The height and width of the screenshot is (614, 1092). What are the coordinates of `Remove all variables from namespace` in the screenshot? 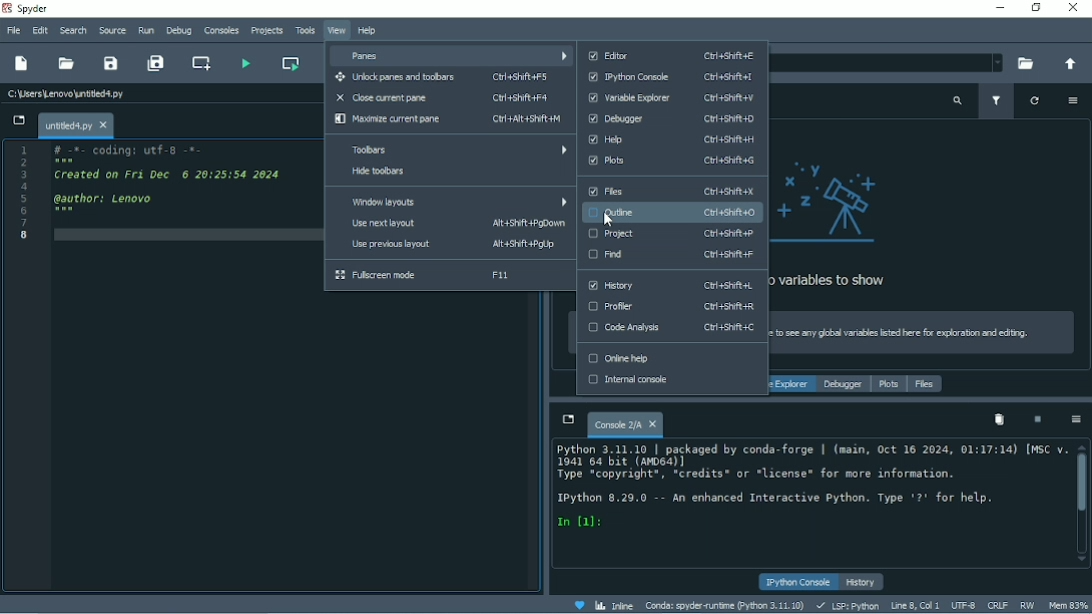 It's located at (998, 419).